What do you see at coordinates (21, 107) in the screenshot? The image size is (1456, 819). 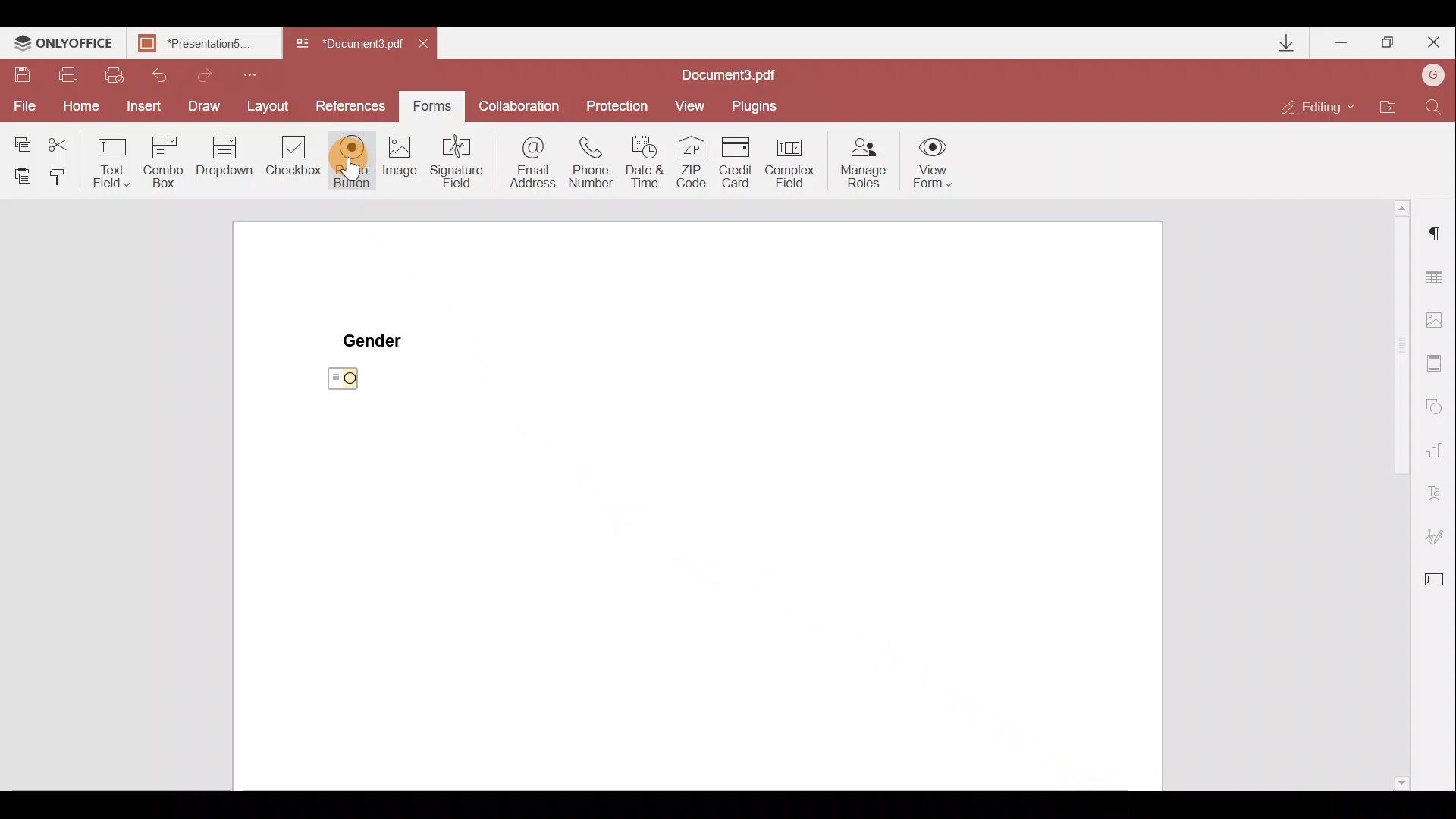 I see `File` at bounding box center [21, 107].